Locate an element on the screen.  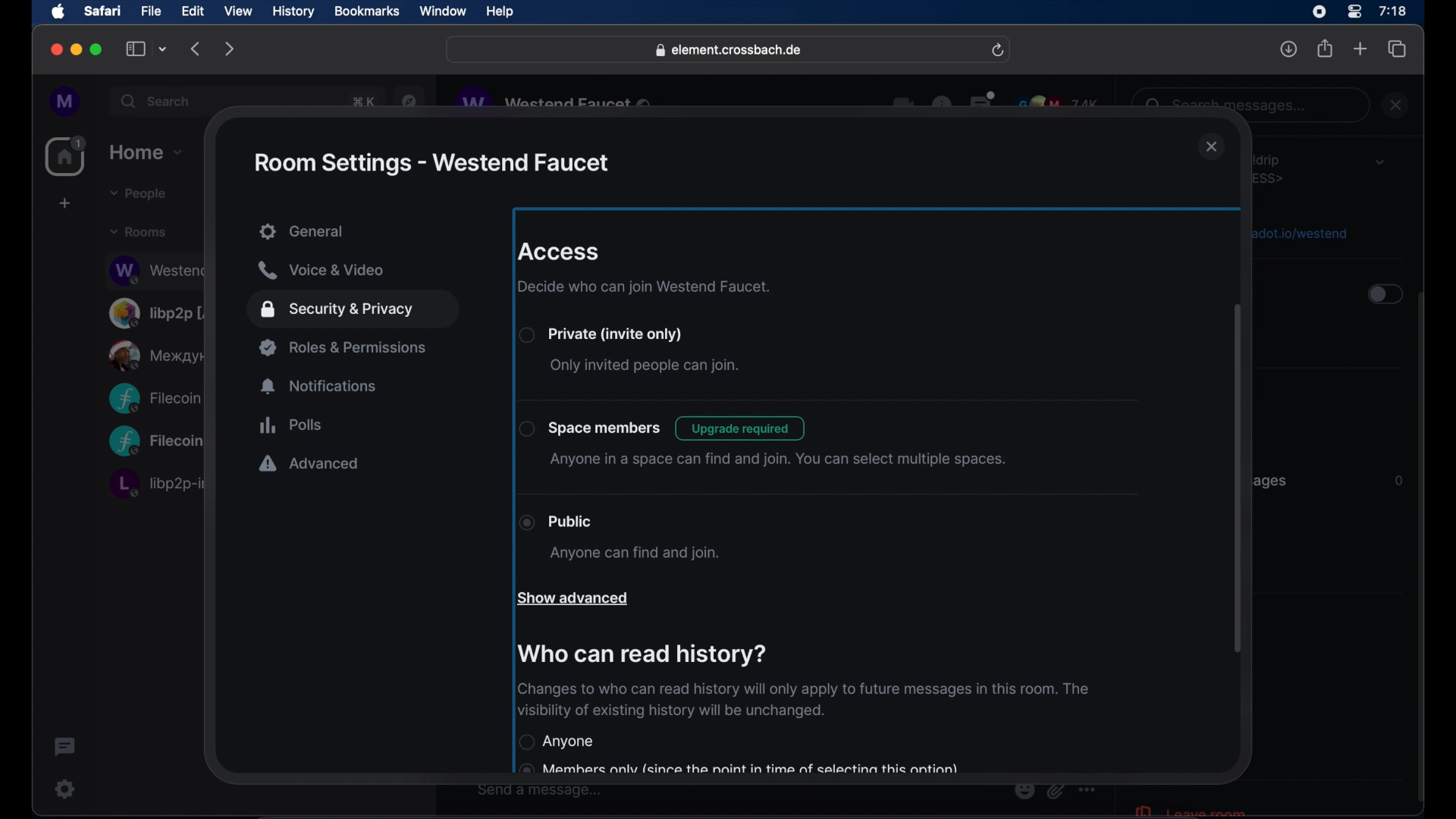
web address is located at coordinates (730, 51).